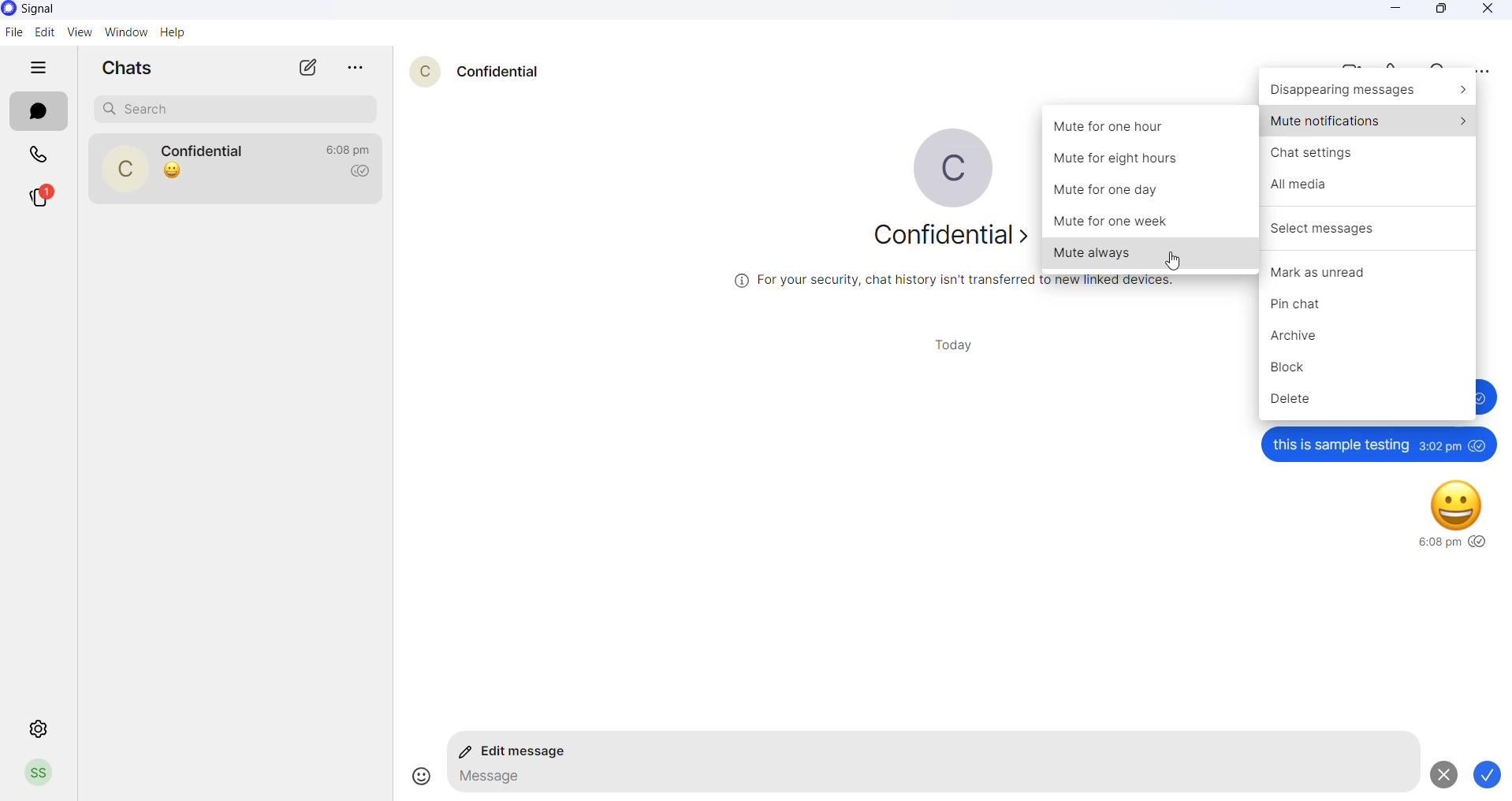  Describe the element at coordinates (498, 70) in the screenshot. I see `contact name` at that location.